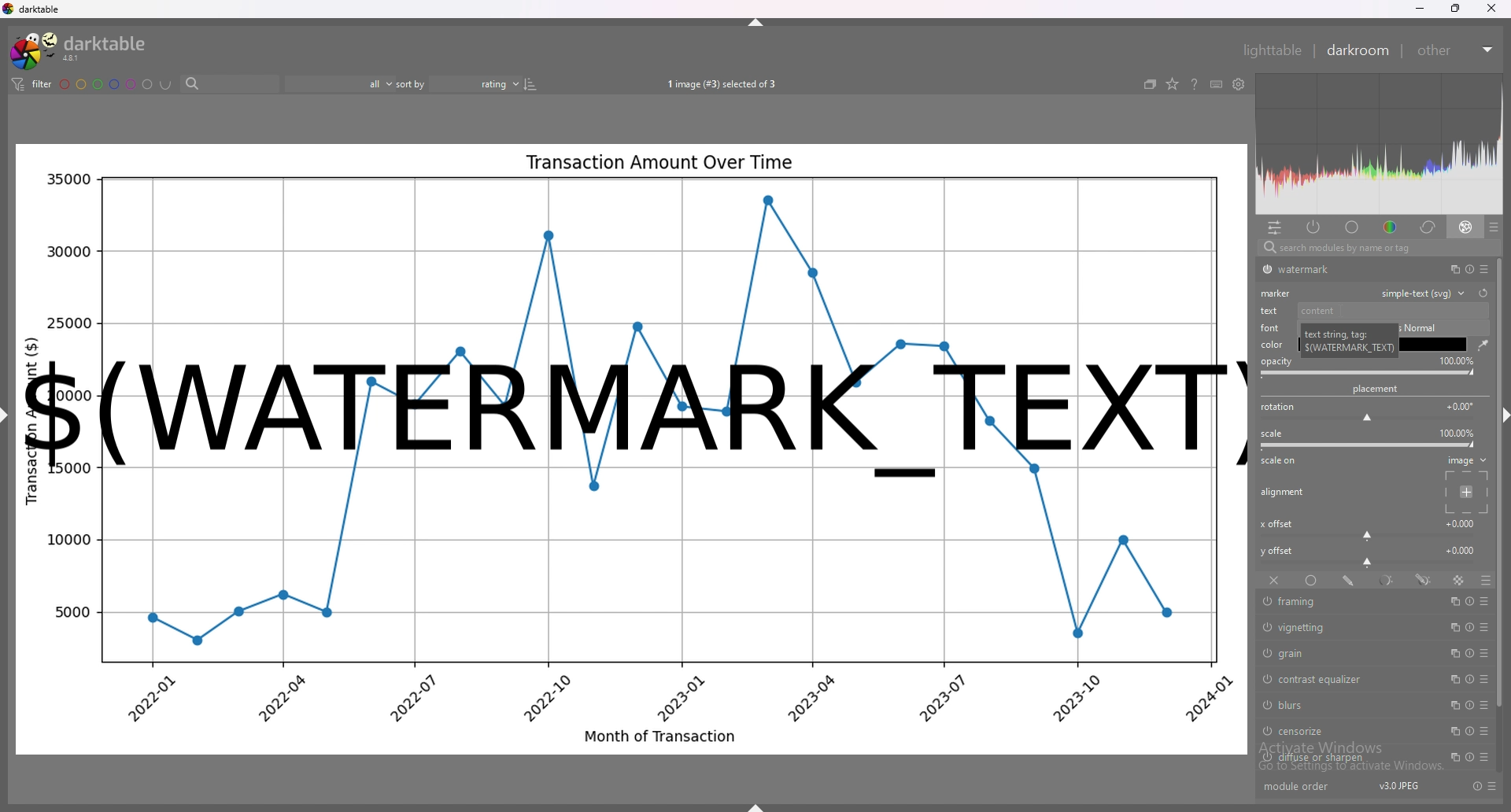 The width and height of the screenshot is (1511, 812). Describe the element at coordinates (1454, 654) in the screenshot. I see `multiple instances action` at that location.